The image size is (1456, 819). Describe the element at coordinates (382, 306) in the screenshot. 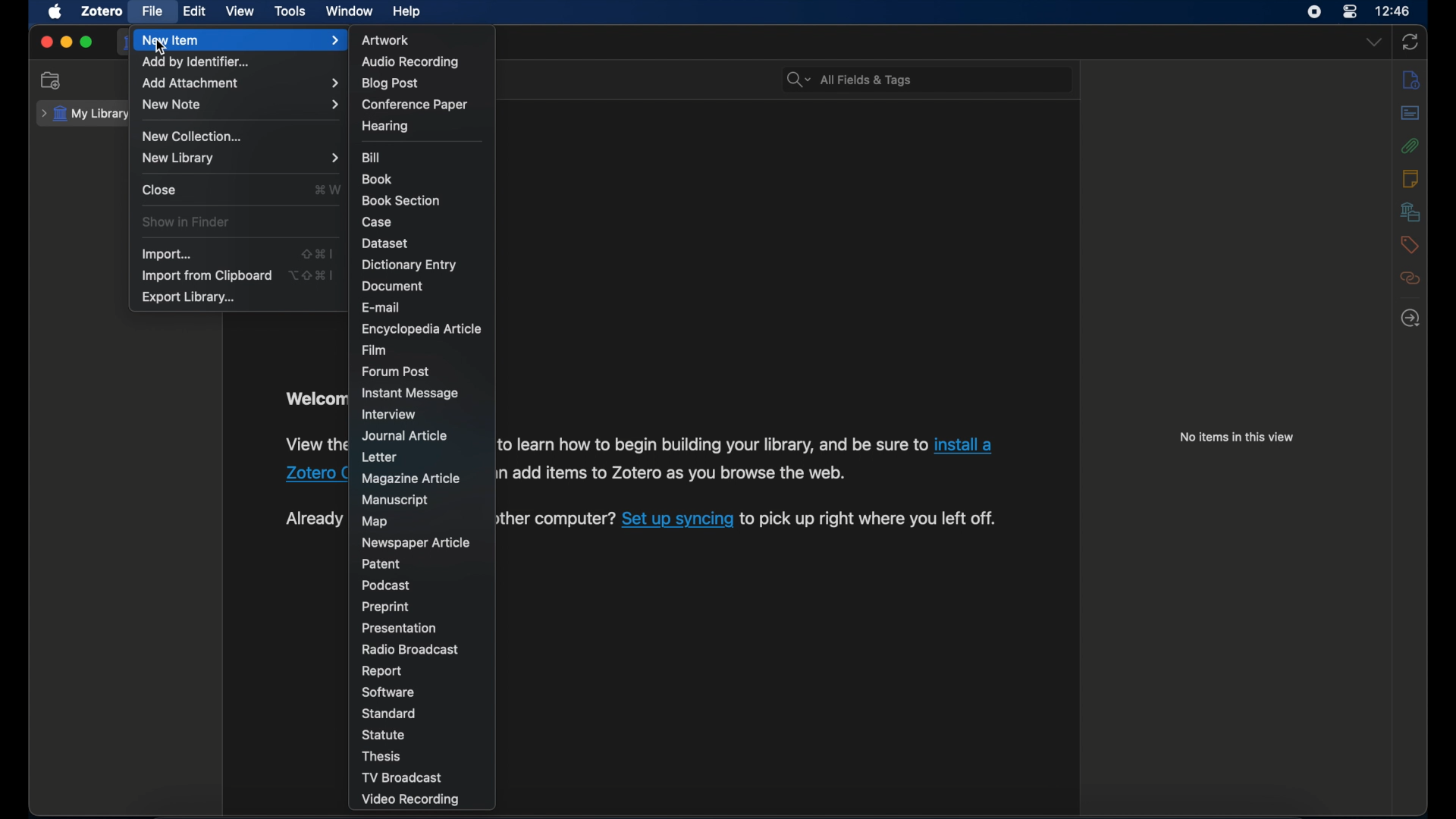

I see `e-mail` at that location.